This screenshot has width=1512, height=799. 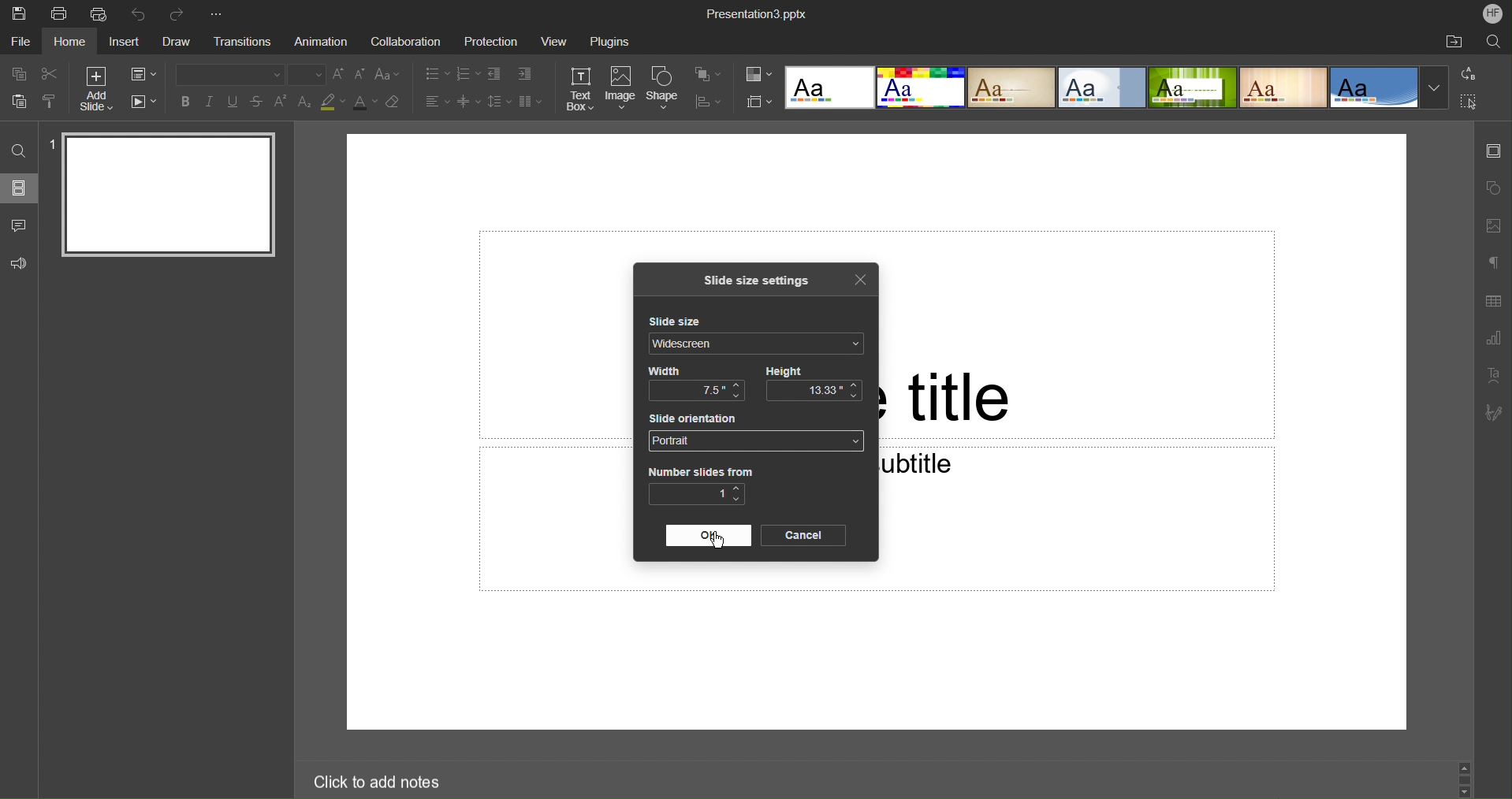 What do you see at coordinates (145, 102) in the screenshot?
I see `Playback` at bounding box center [145, 102].